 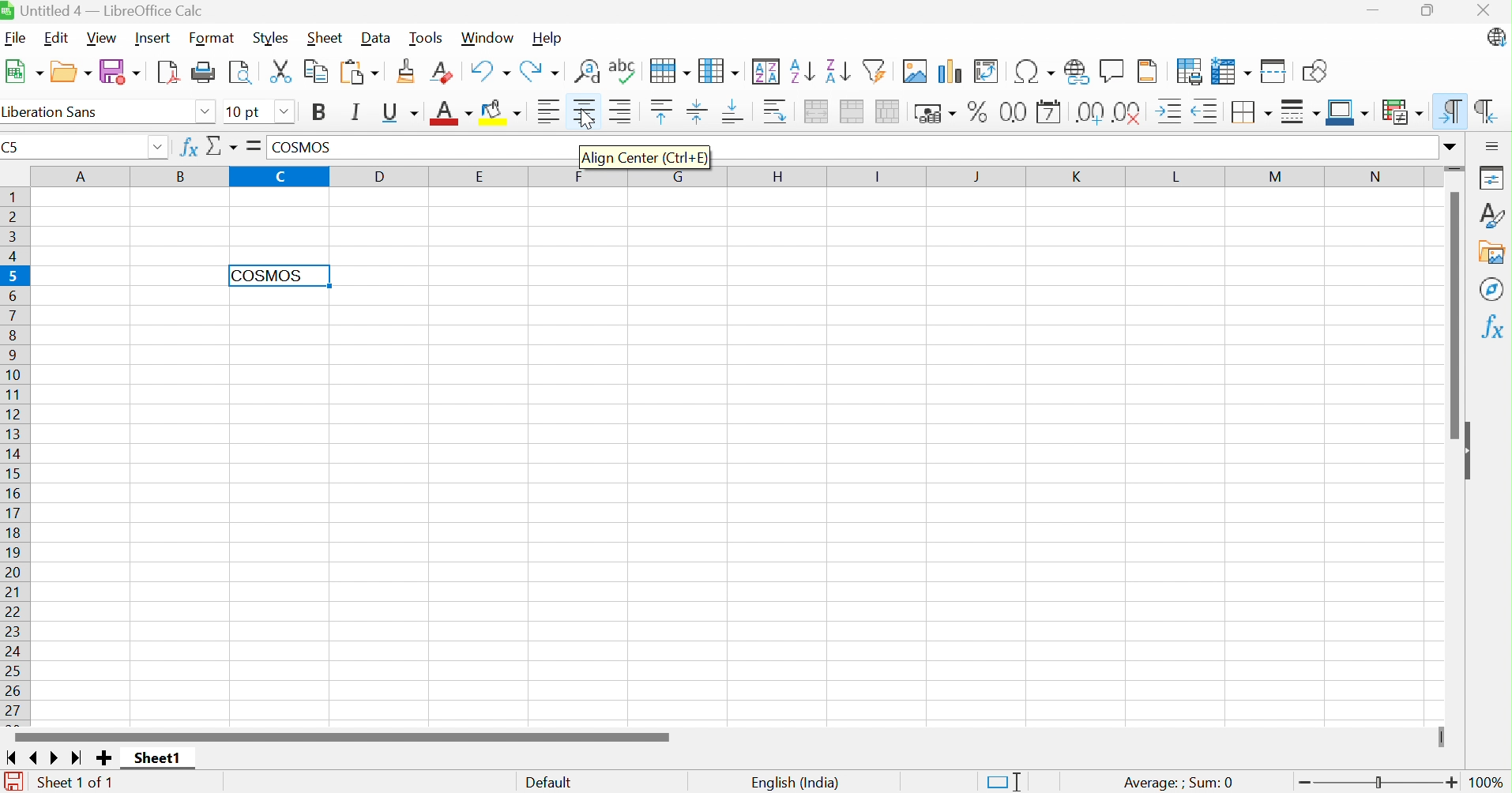 I want to click on Format as Percent, so click(x=979, y=111).